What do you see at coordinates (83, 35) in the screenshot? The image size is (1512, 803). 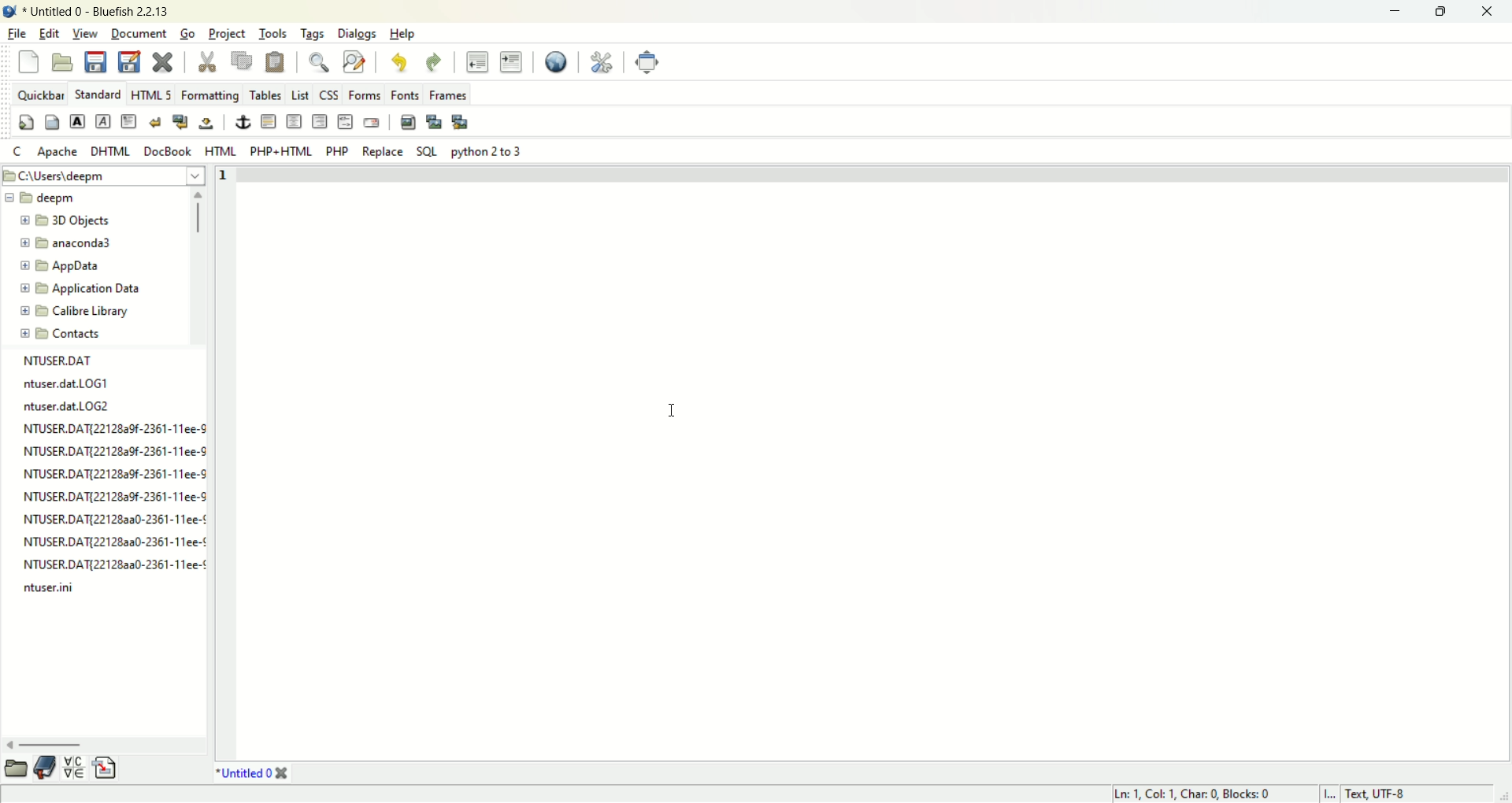 I see `view` at bounding box center [83, 35].